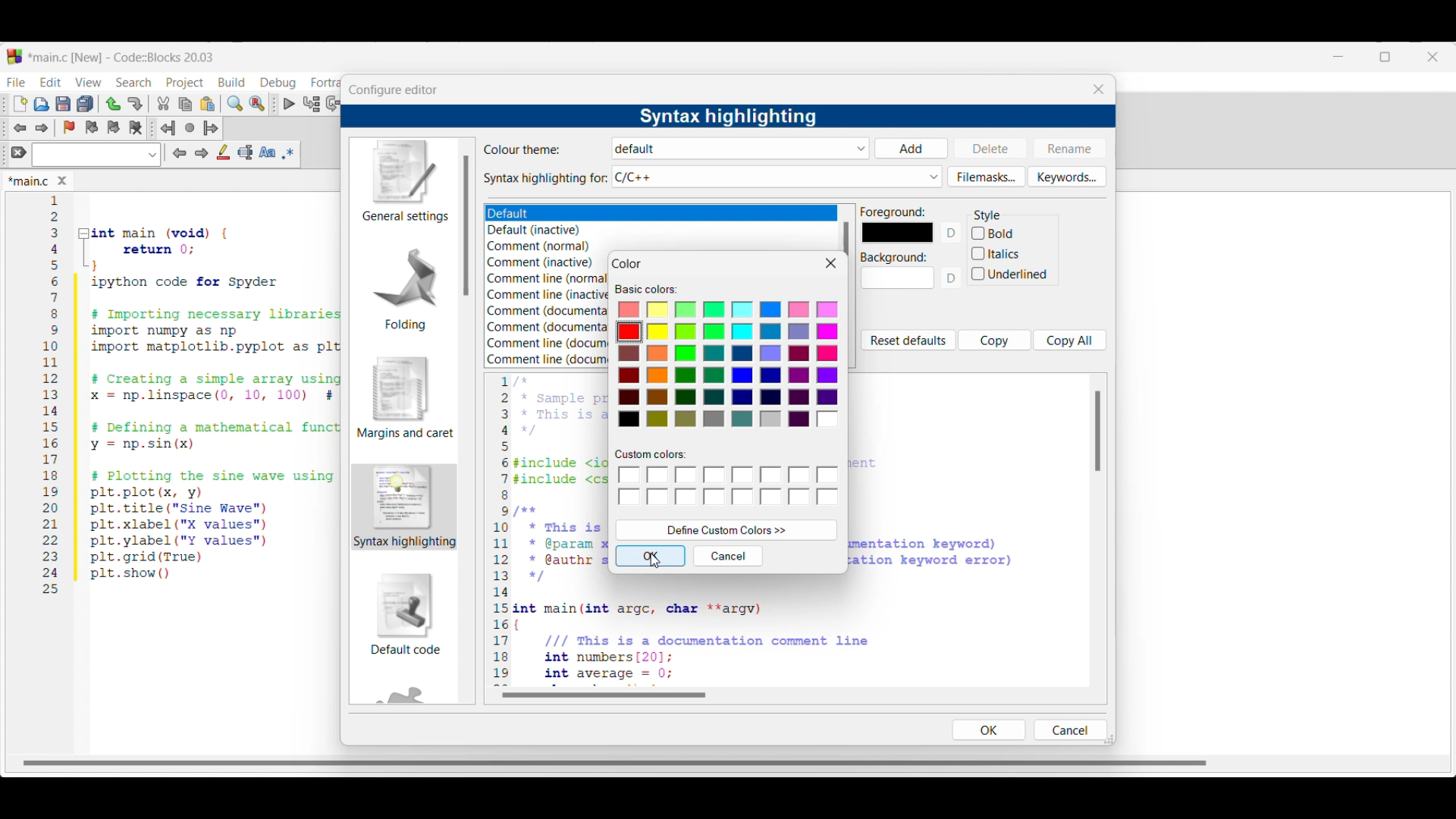 The image size is (1456, 819). What do you see at coordinates (1098, 431) in the screenshot?
I see `Vertical slide bar` at bounding box center [1098, 431].